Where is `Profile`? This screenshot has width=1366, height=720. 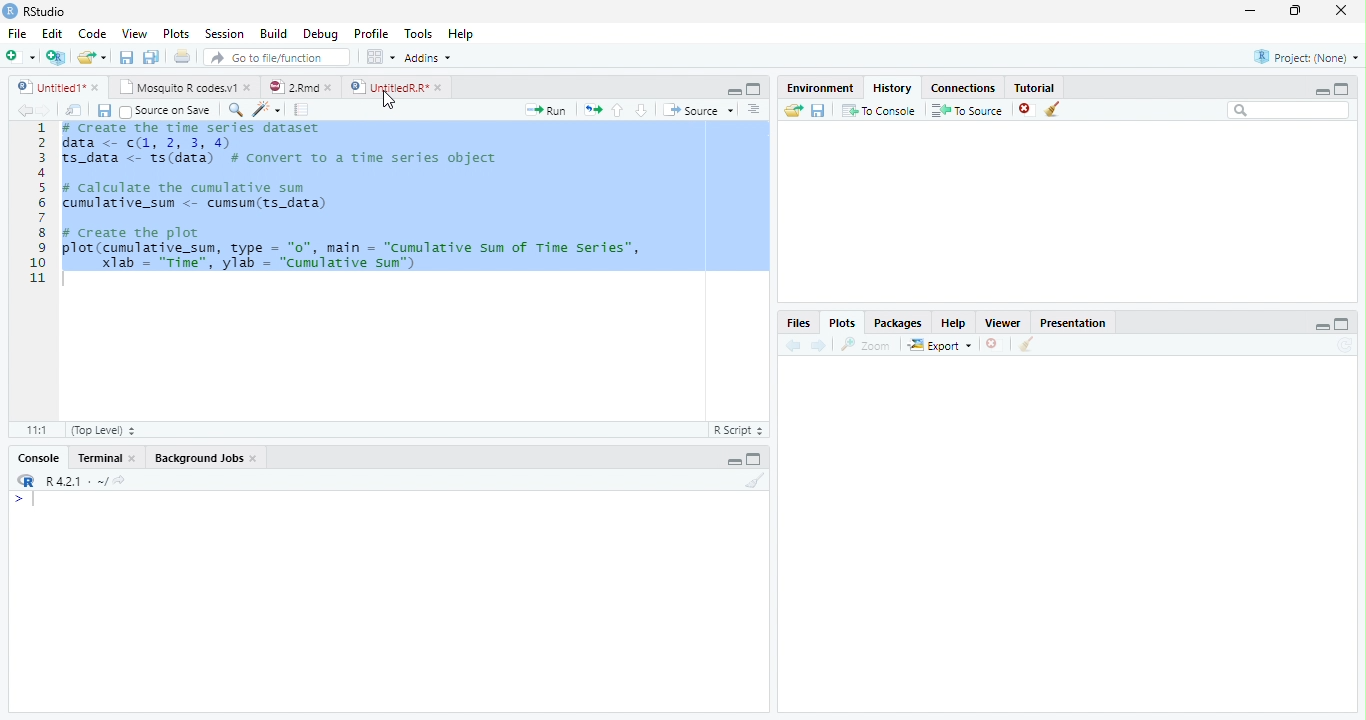 Profile is located at coordinates (372, 35).